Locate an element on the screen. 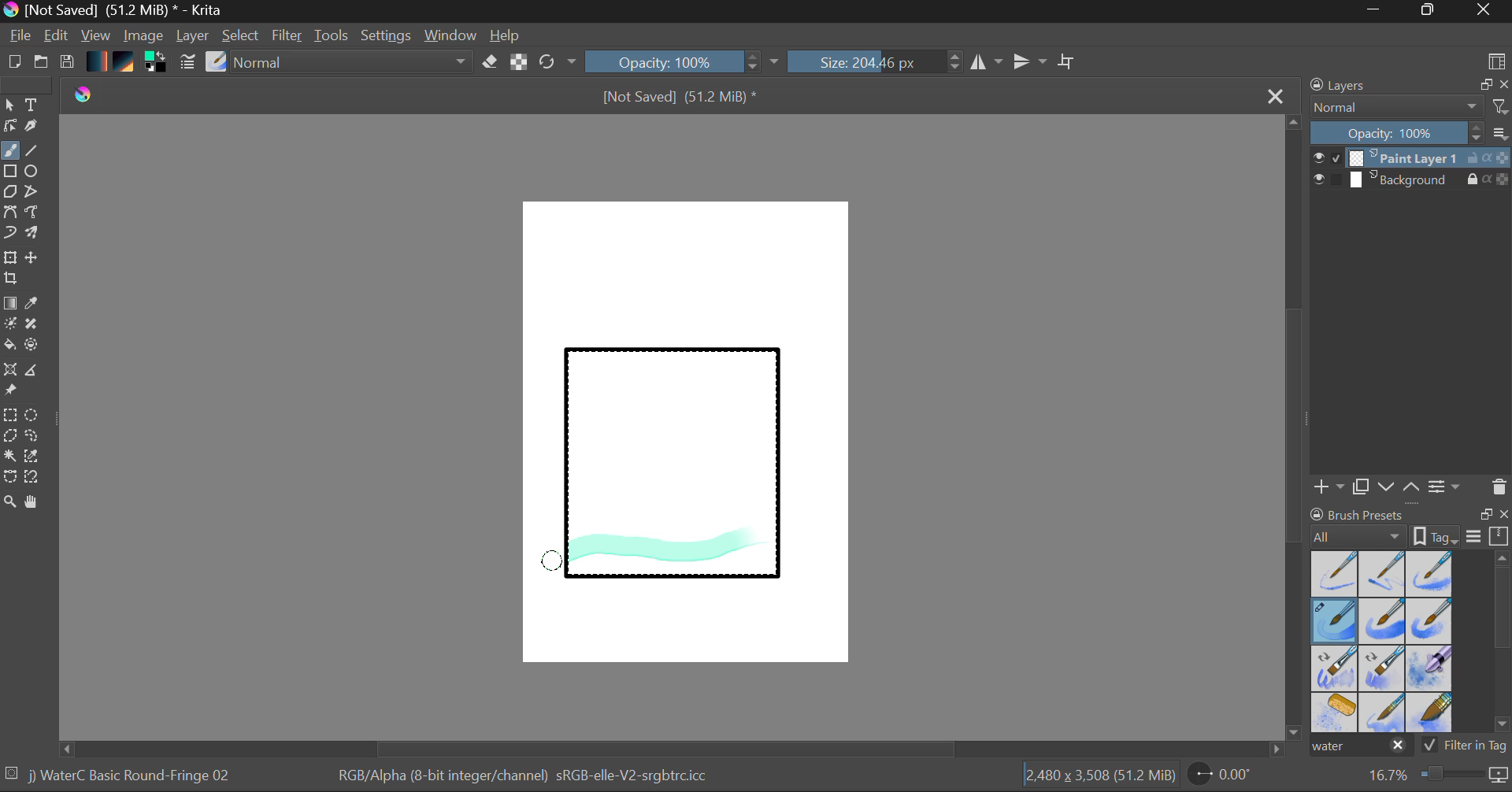  Select Brush Preset is located at coordinates (217, 62).